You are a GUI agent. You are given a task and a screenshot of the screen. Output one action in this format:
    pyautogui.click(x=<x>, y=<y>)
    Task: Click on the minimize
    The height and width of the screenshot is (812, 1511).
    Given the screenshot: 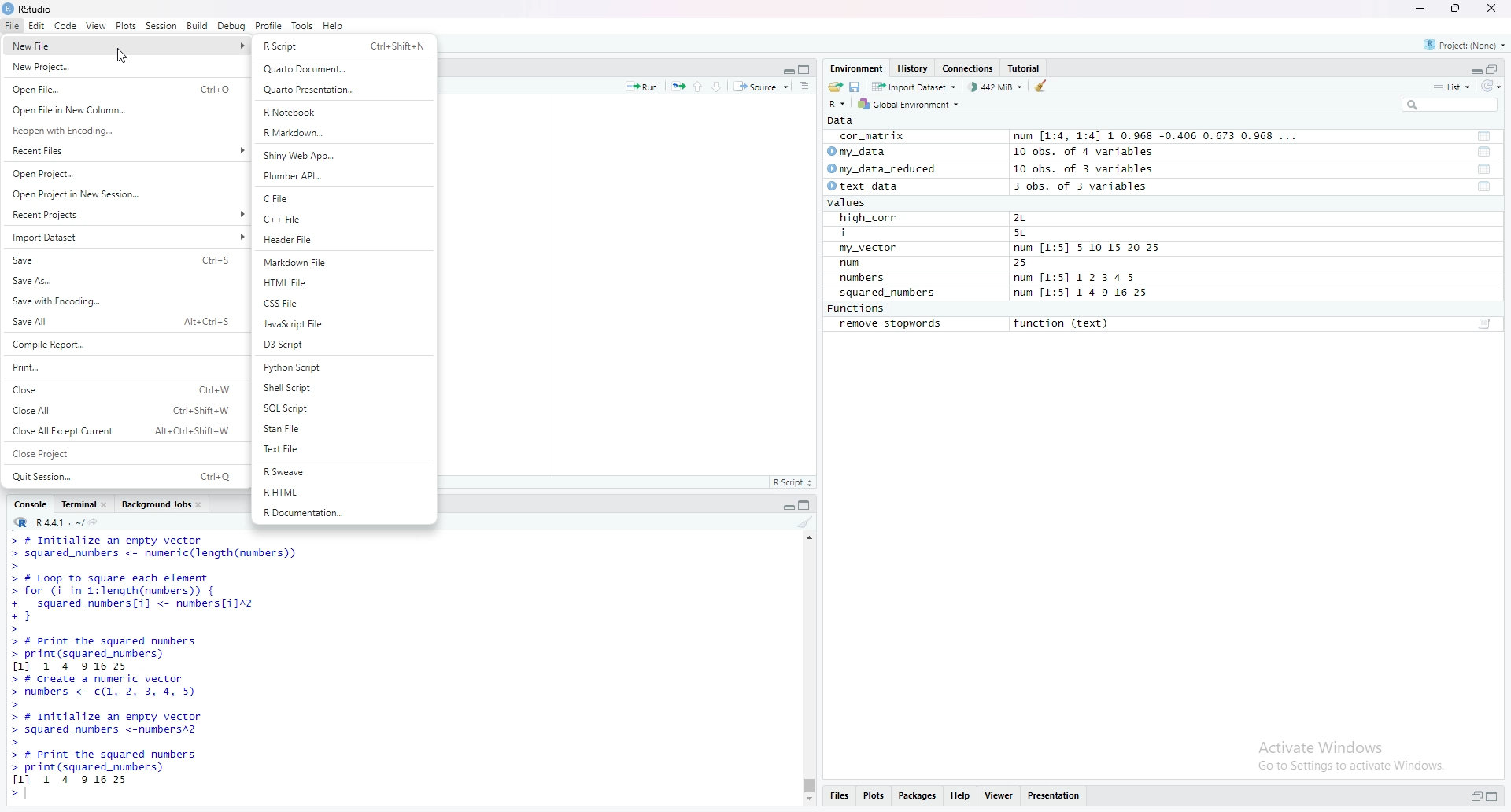 What is the action you would take?
    pyautogui.click(x=785, y=507)
    